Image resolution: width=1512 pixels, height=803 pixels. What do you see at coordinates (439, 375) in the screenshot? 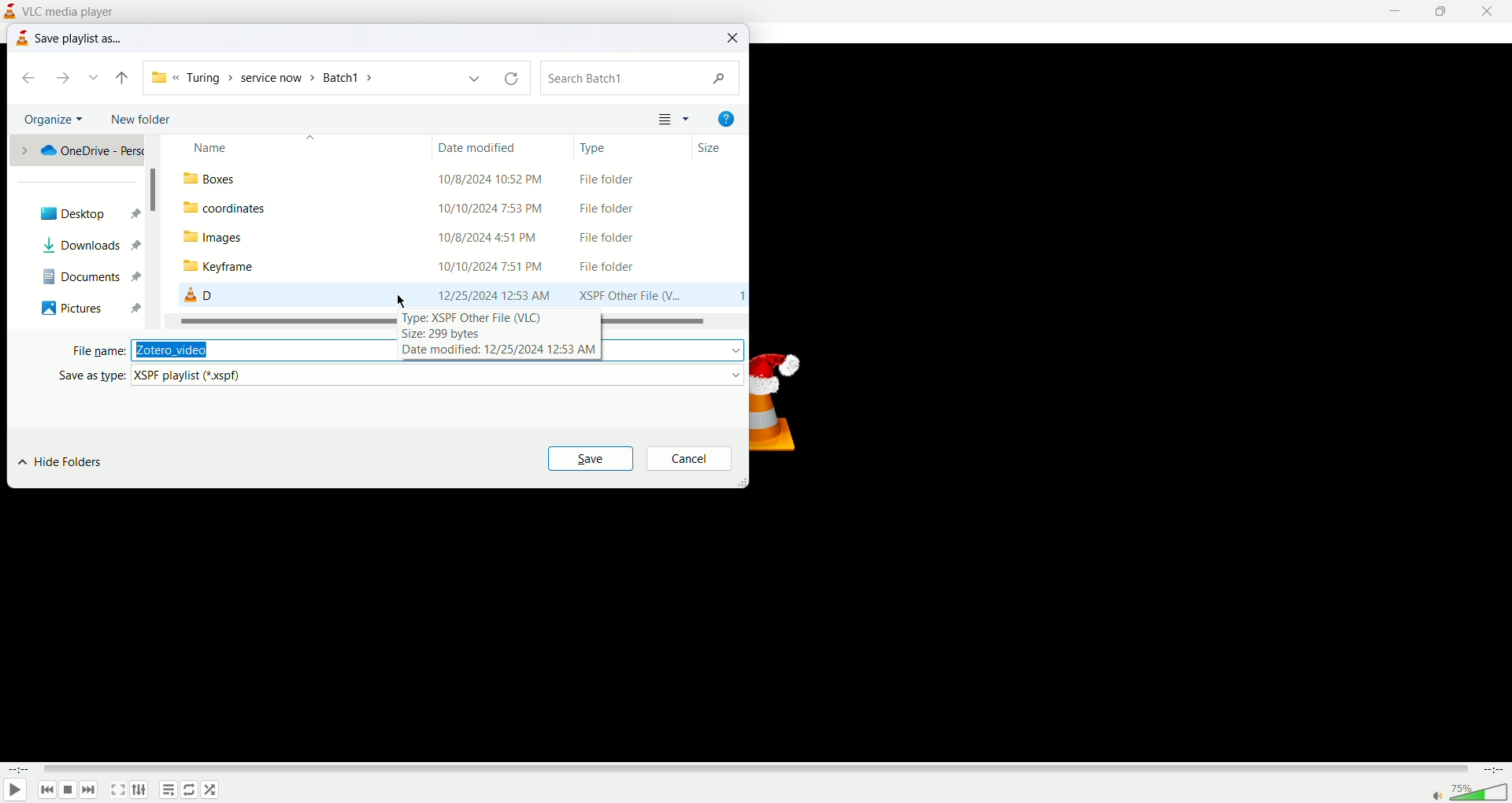
I see `file type` at bounding box center [439, 375].